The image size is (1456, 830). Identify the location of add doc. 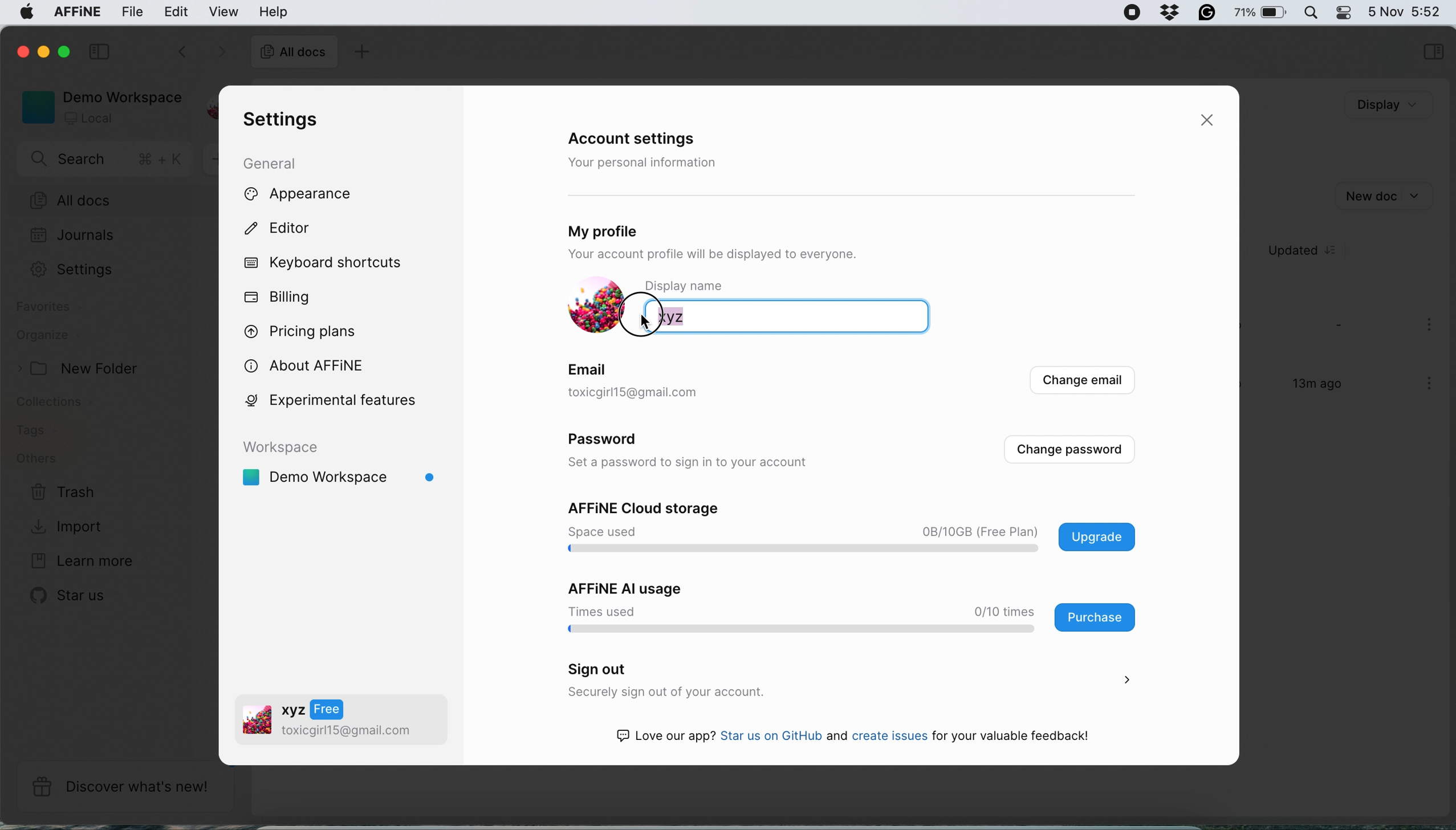
(360, 54).